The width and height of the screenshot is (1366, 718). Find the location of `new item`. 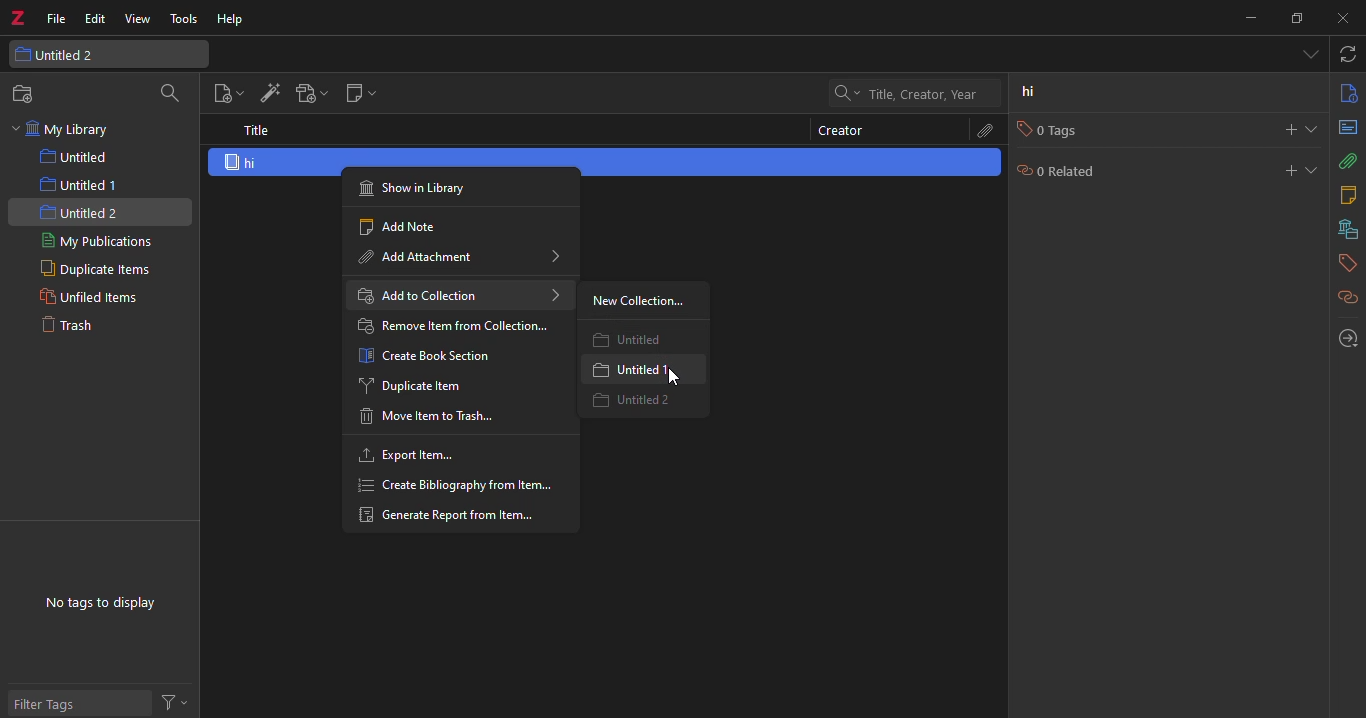

new item is located at coordinates (225, 95).